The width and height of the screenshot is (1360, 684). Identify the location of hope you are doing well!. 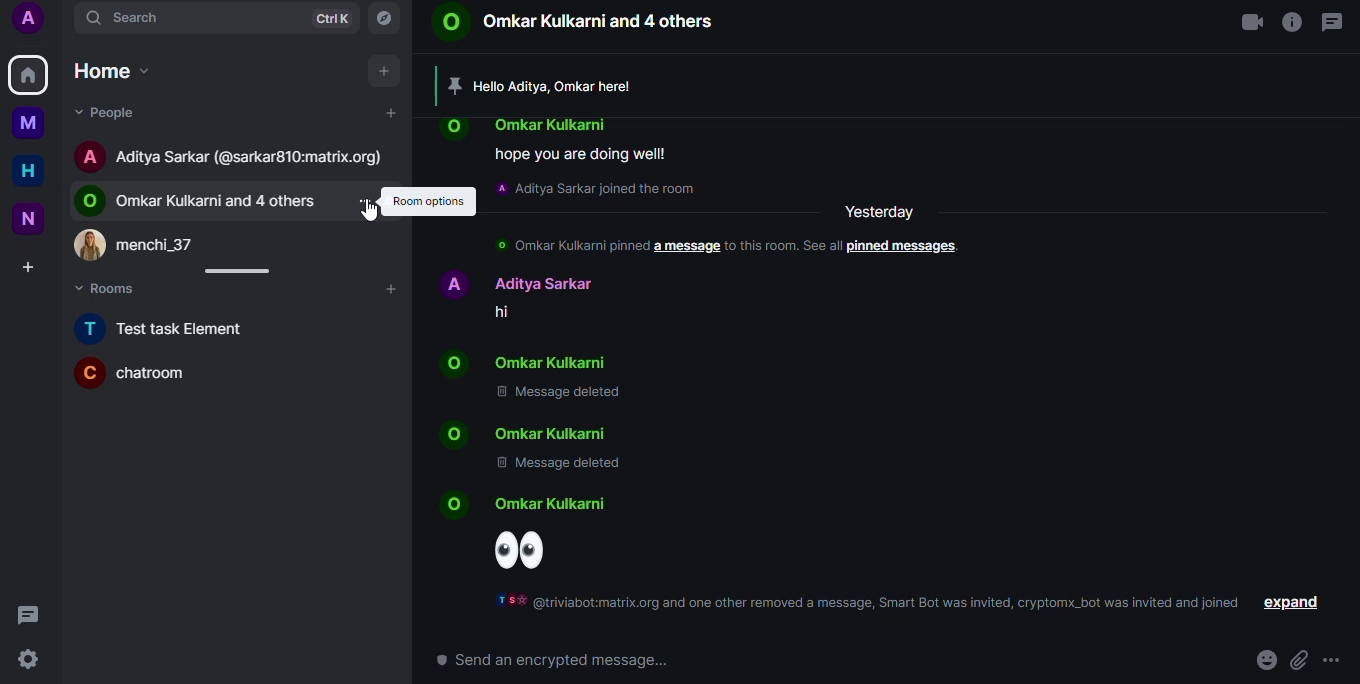
(584, 153).